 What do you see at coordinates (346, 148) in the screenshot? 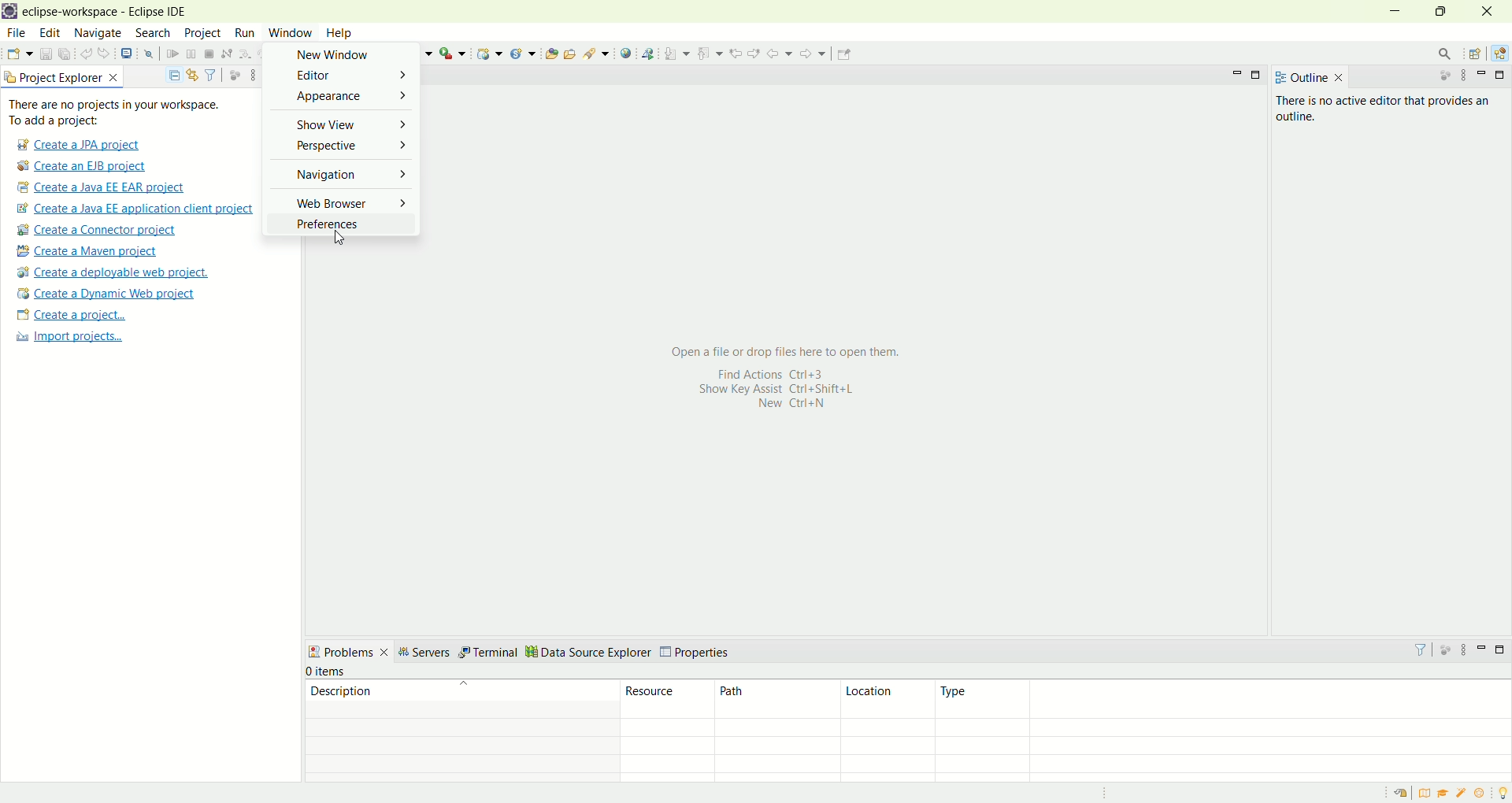
I see `perspective` at bounding box center [346, 148].